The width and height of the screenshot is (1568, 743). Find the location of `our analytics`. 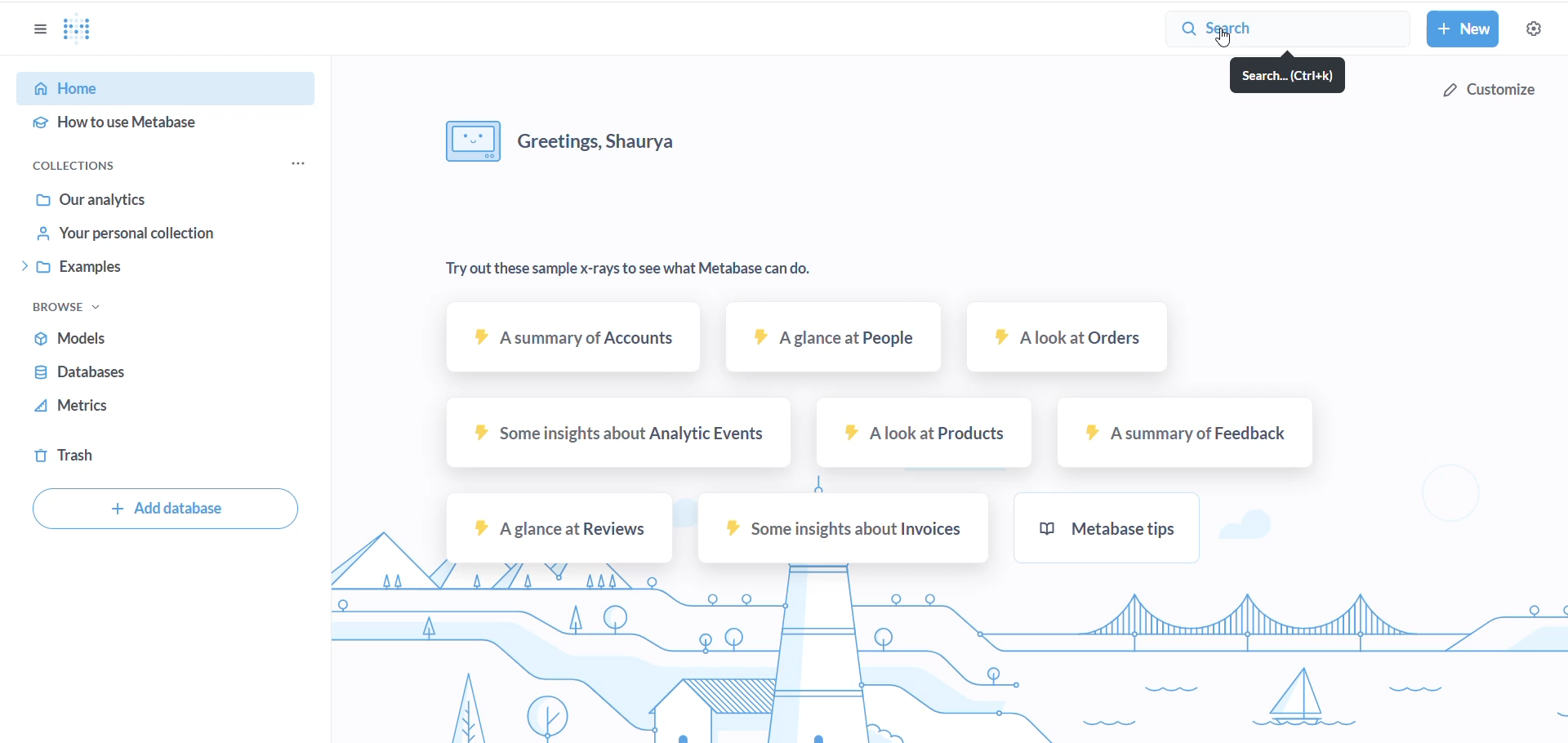

our analytics is located at coordinates (163, 202).